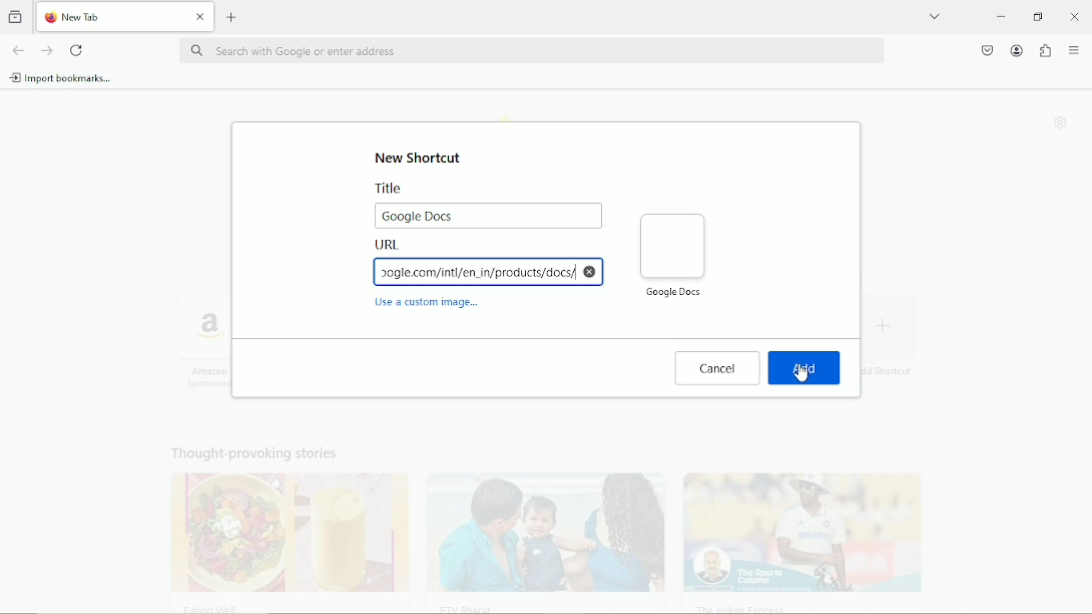 This screenshot has width=1092, height=614. I want to click on restore down, so click(1039, 16).